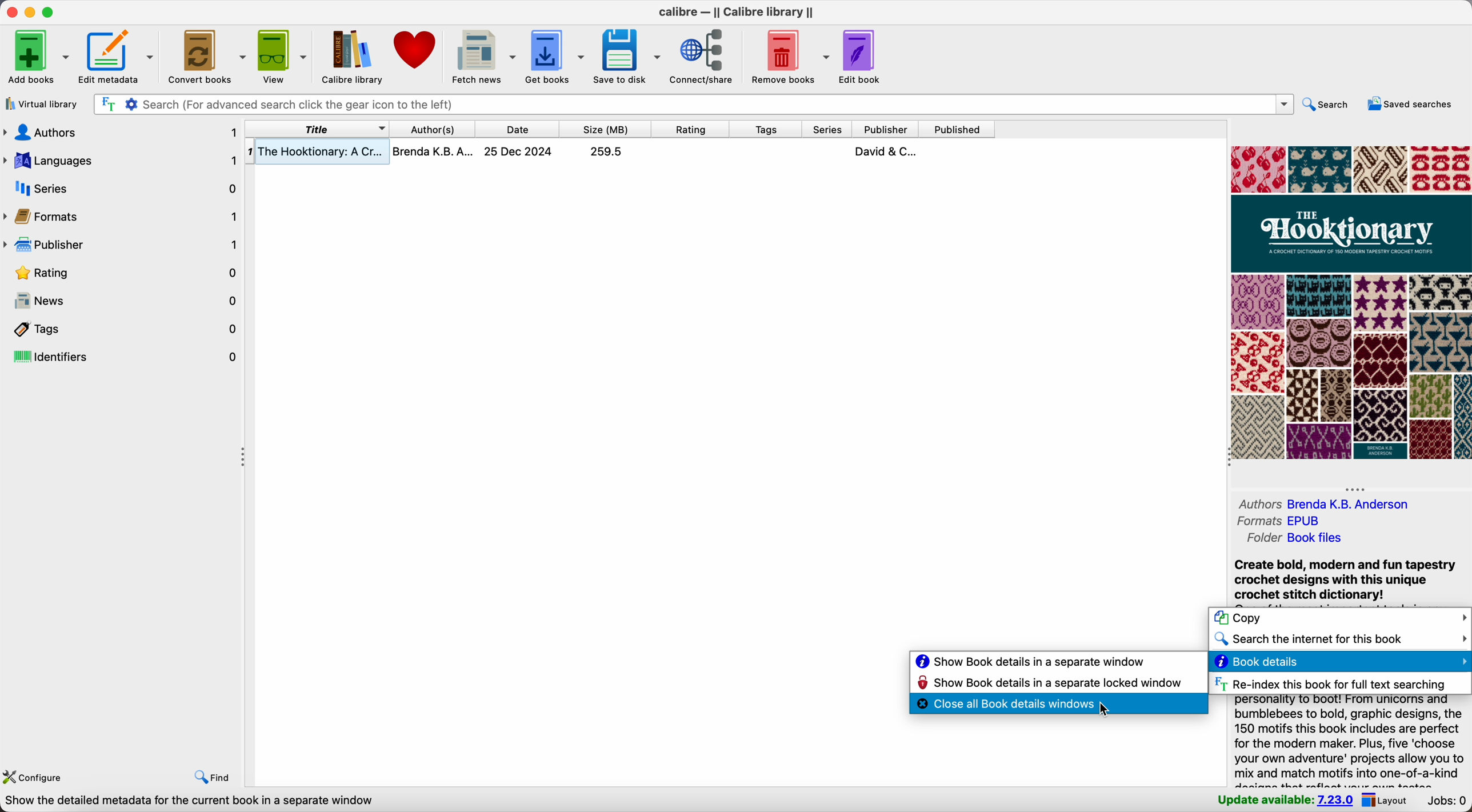  Describe the element at coordinates (123, 302) in the screenshot. I see `news` at that location.